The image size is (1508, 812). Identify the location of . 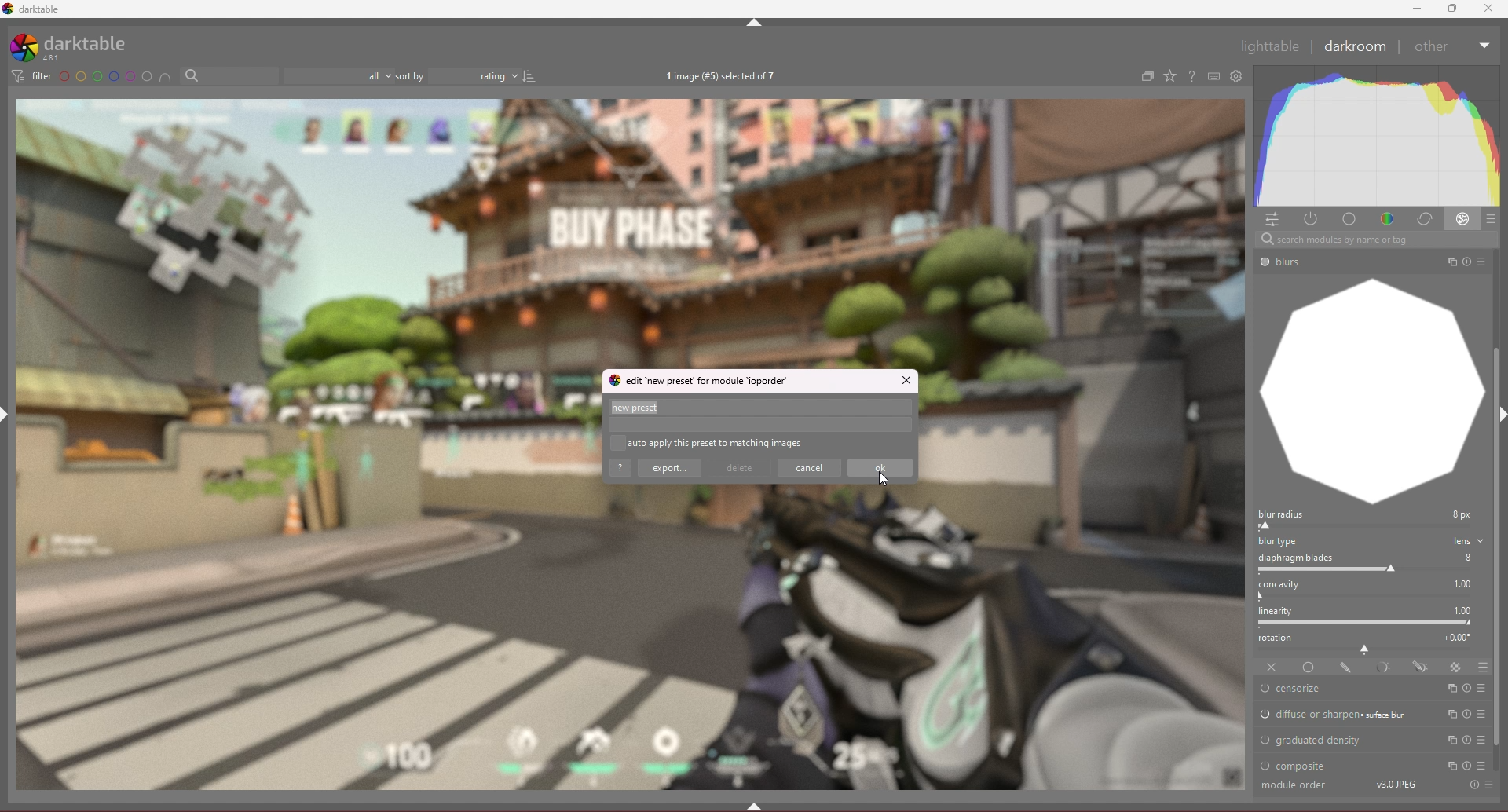
(1489, 9).